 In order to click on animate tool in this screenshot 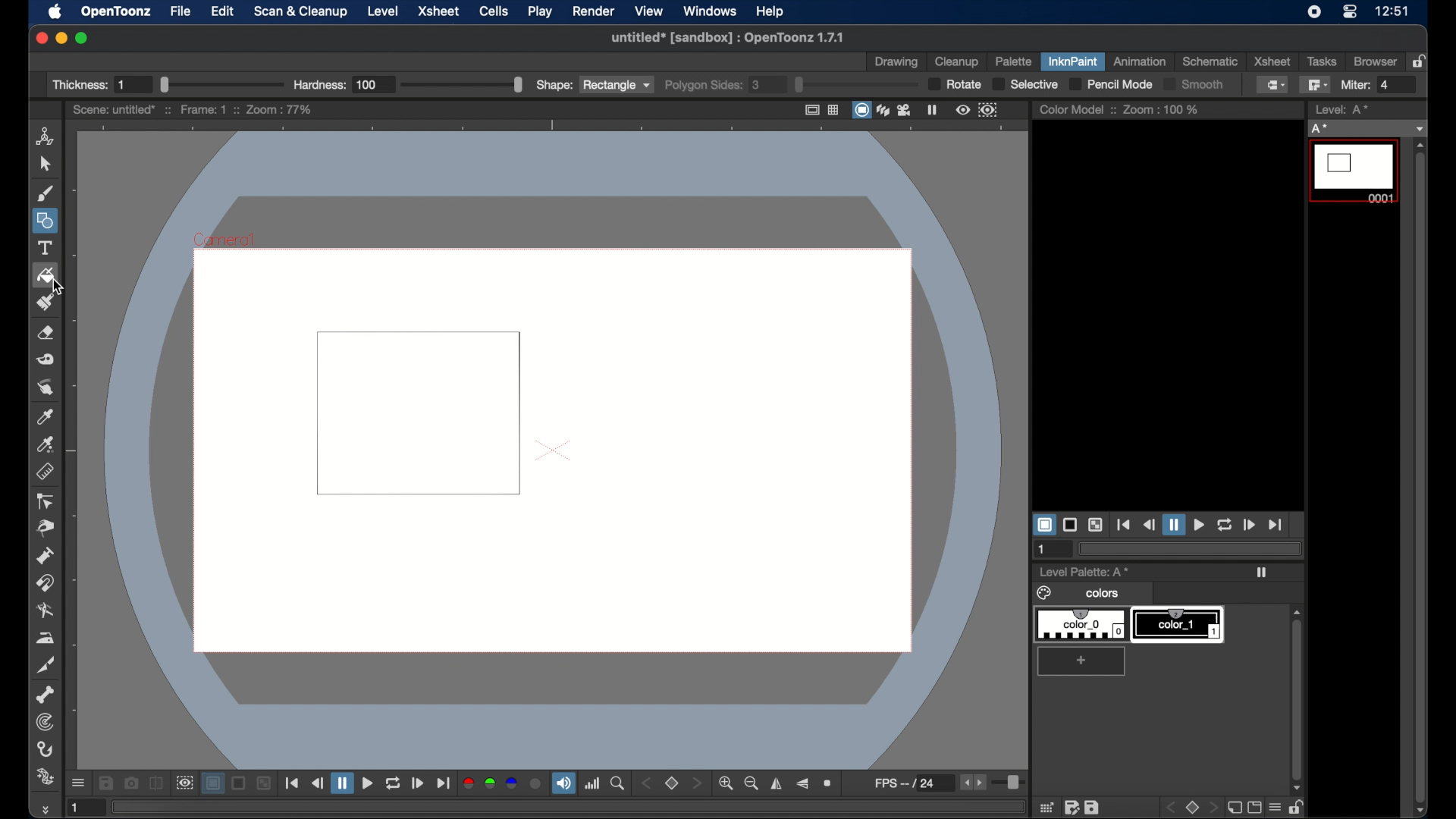, I will do `click(45, 136)`.